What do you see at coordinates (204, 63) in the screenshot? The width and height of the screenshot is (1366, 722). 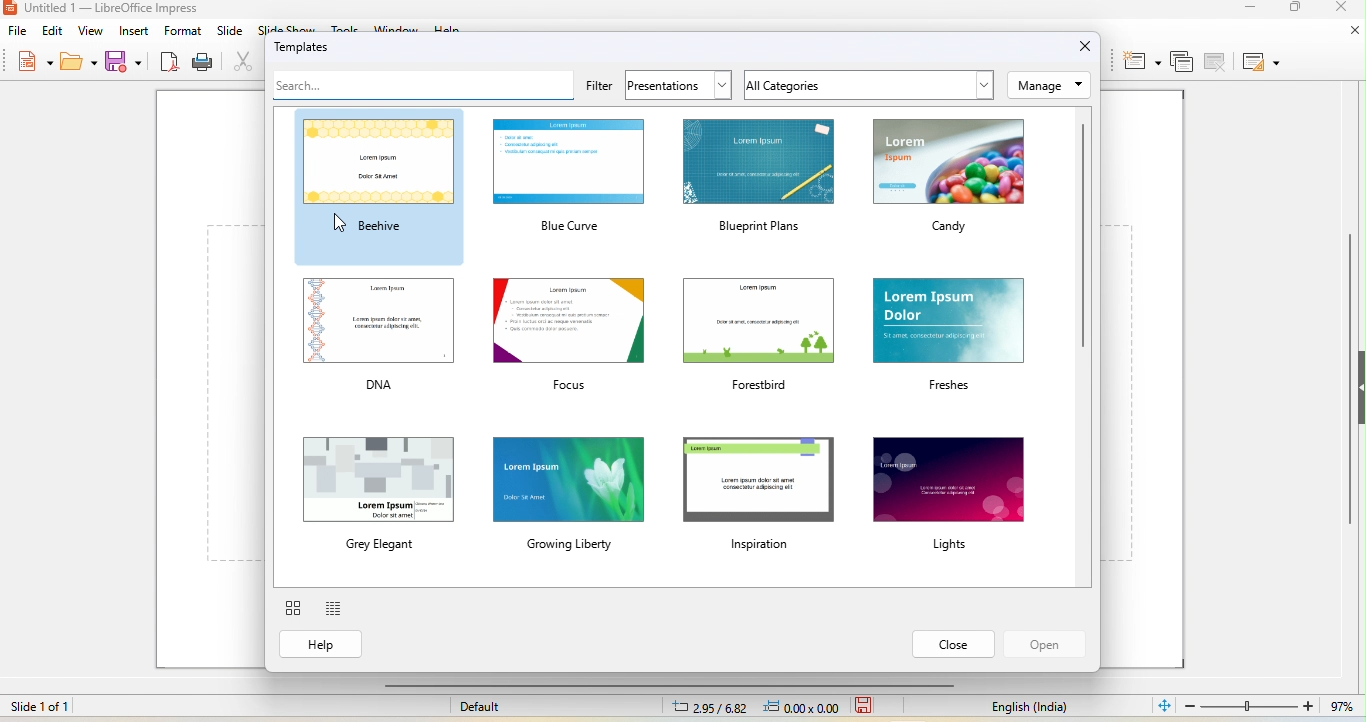 I see `print` at bounding box center [204, 63].